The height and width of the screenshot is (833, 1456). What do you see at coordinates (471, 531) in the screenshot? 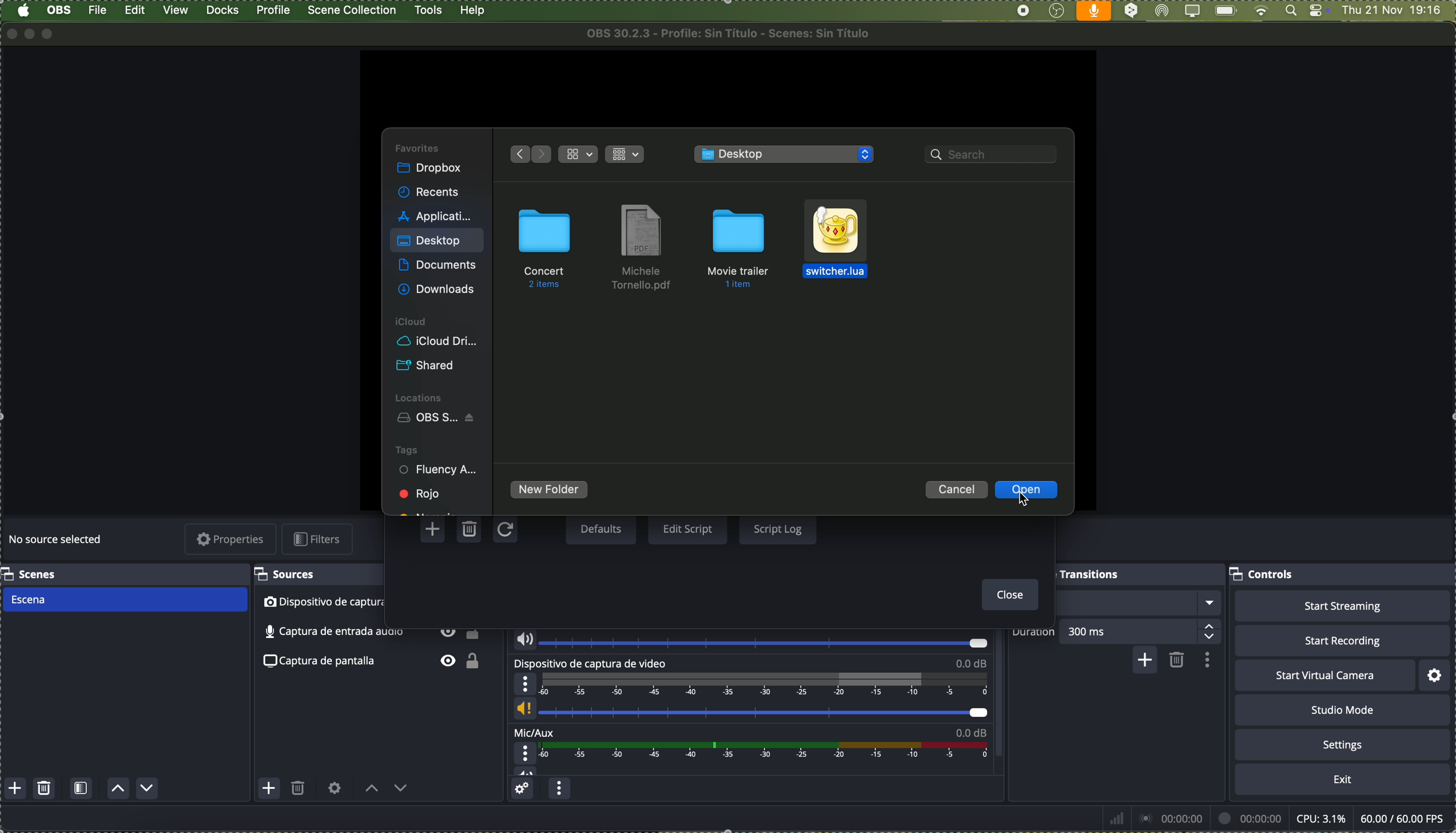
I see `delete script` at bounding box center [471, 531].